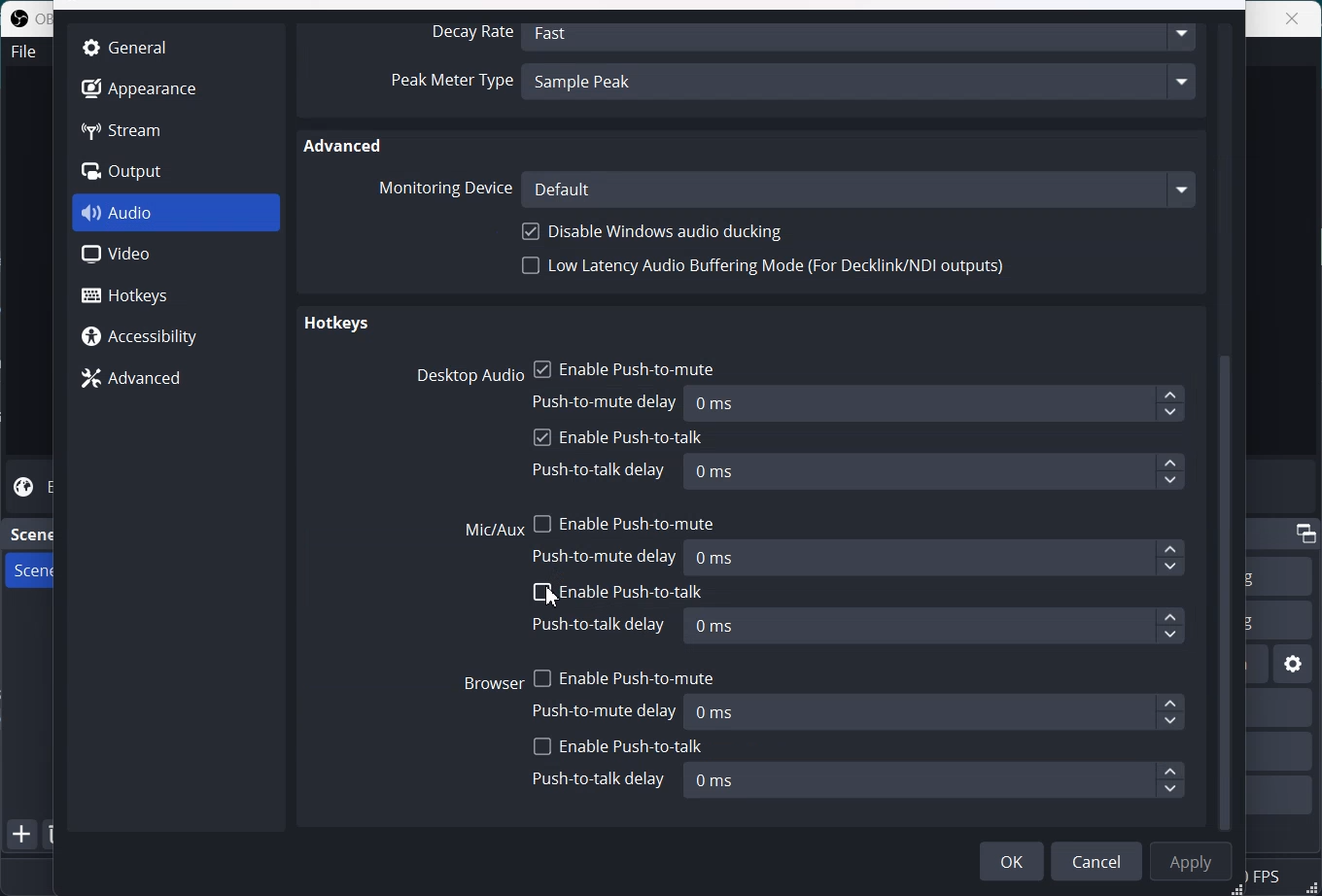 Image resolution: width=1322 pixels, height=896 pixels. What do you see at coordinates (599, 471) in the screenshot?
I see `Push-to-talk delay` at bounding box center [599, 471].